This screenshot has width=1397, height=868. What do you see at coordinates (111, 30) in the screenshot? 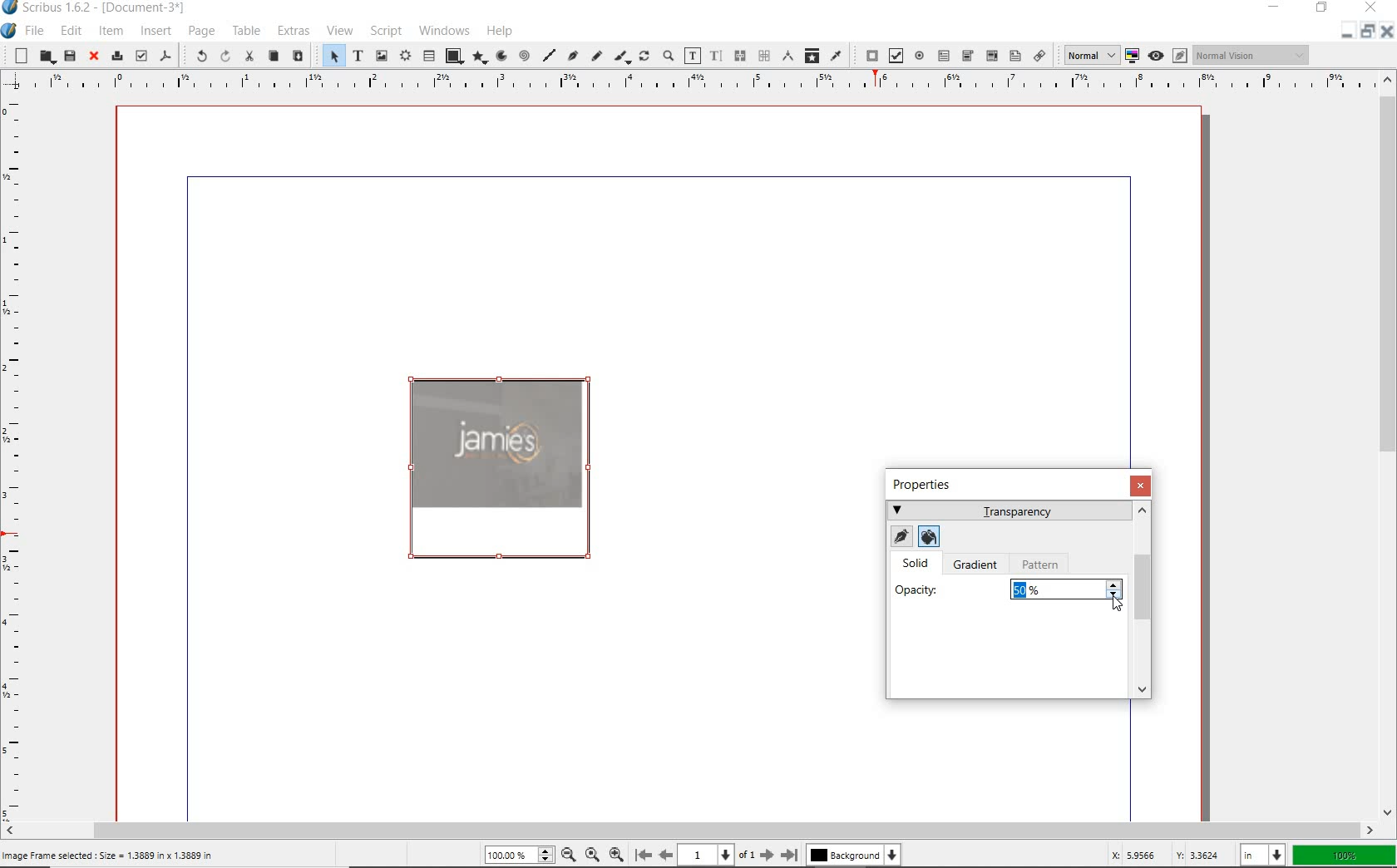
I see `ITEM` at bounding box center [111, 30].